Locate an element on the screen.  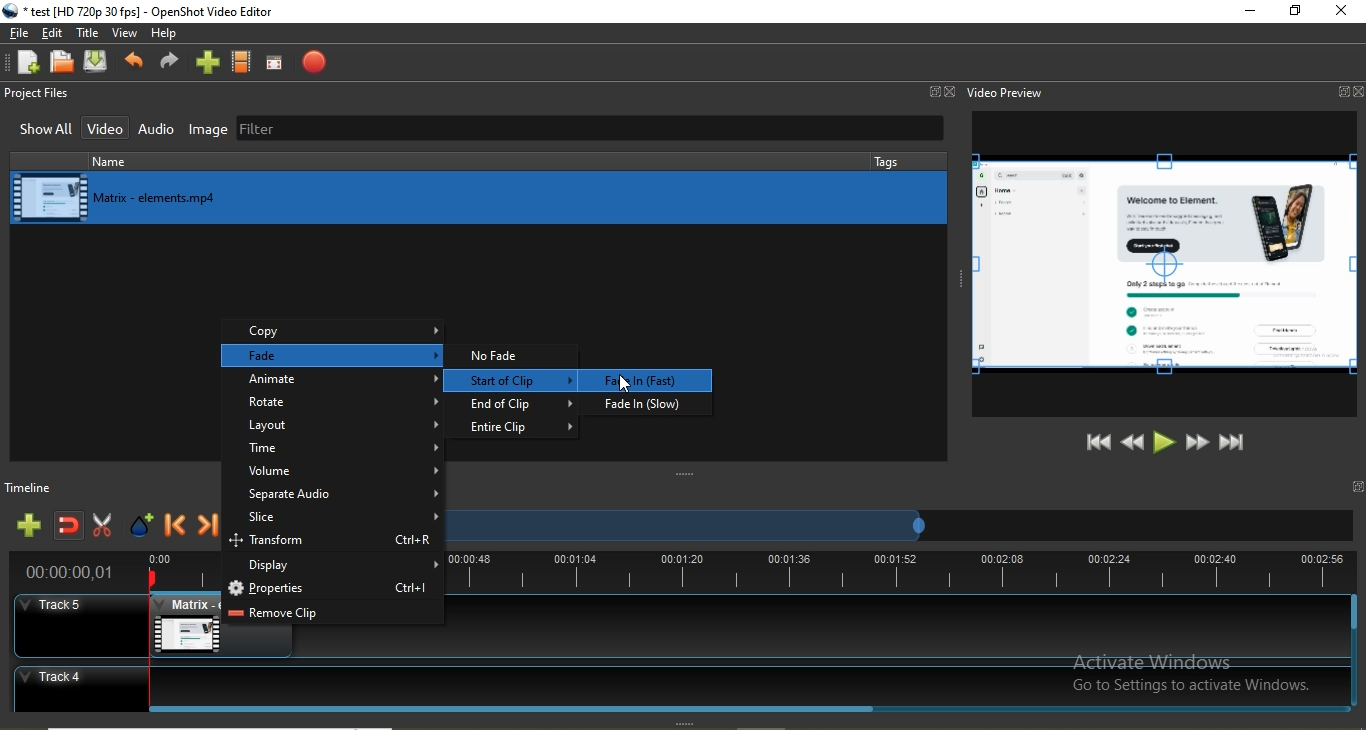
time is located at coordinates (72, 574).